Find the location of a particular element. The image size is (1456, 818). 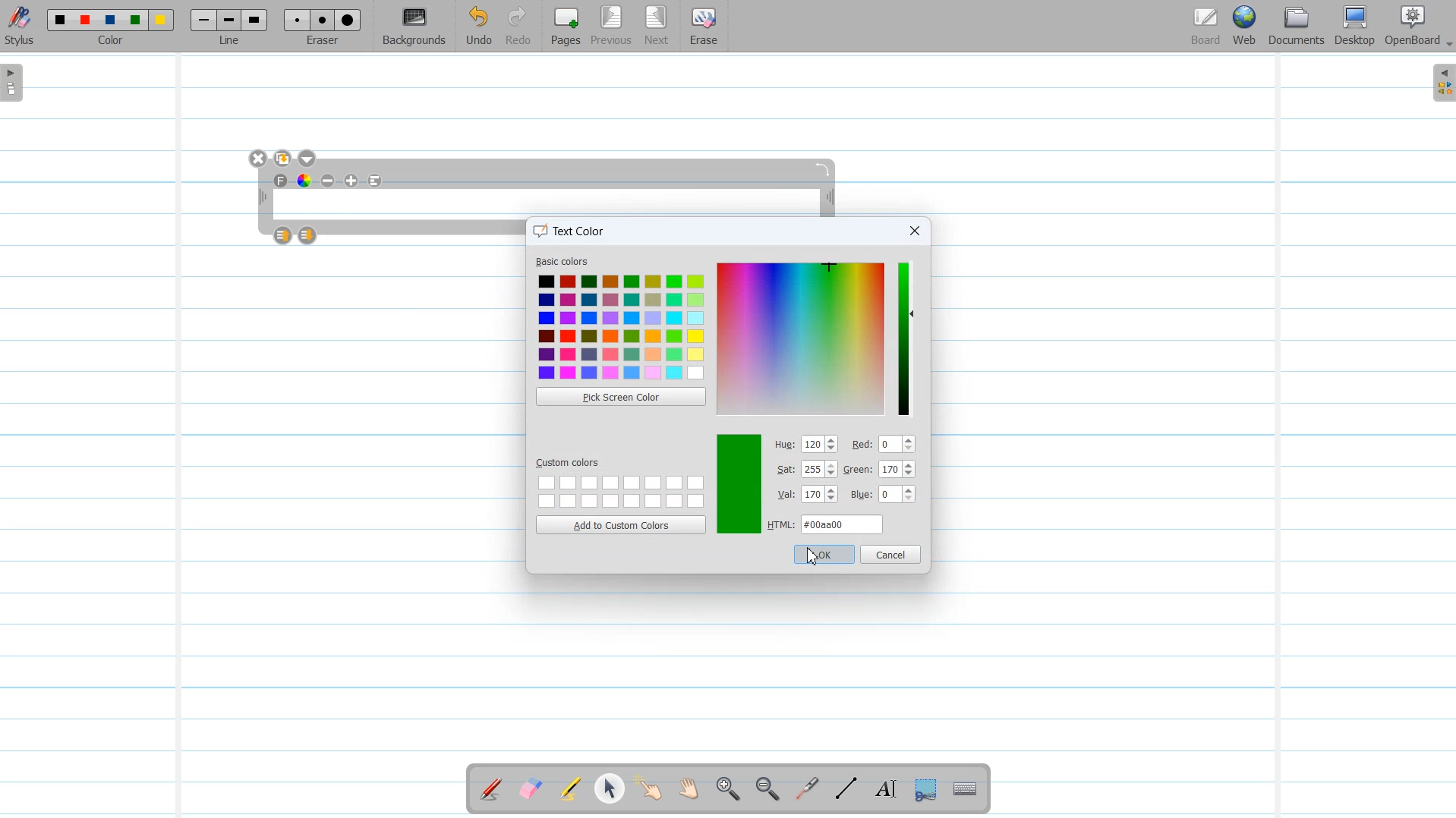

Select and modify Object is located at coordinates (610, 788).